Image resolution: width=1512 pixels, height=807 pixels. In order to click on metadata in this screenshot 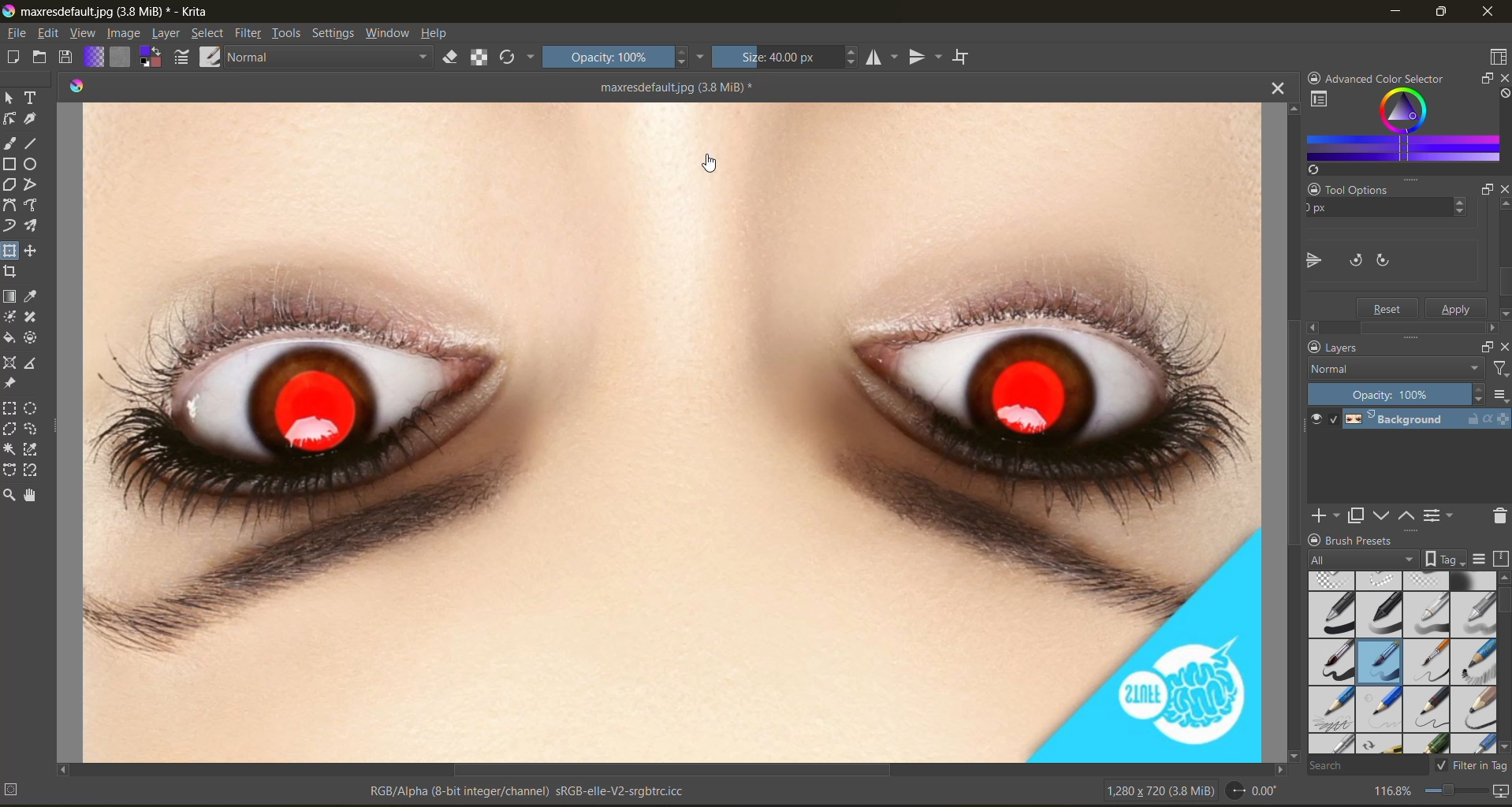, I will do `click(348, 793)`.